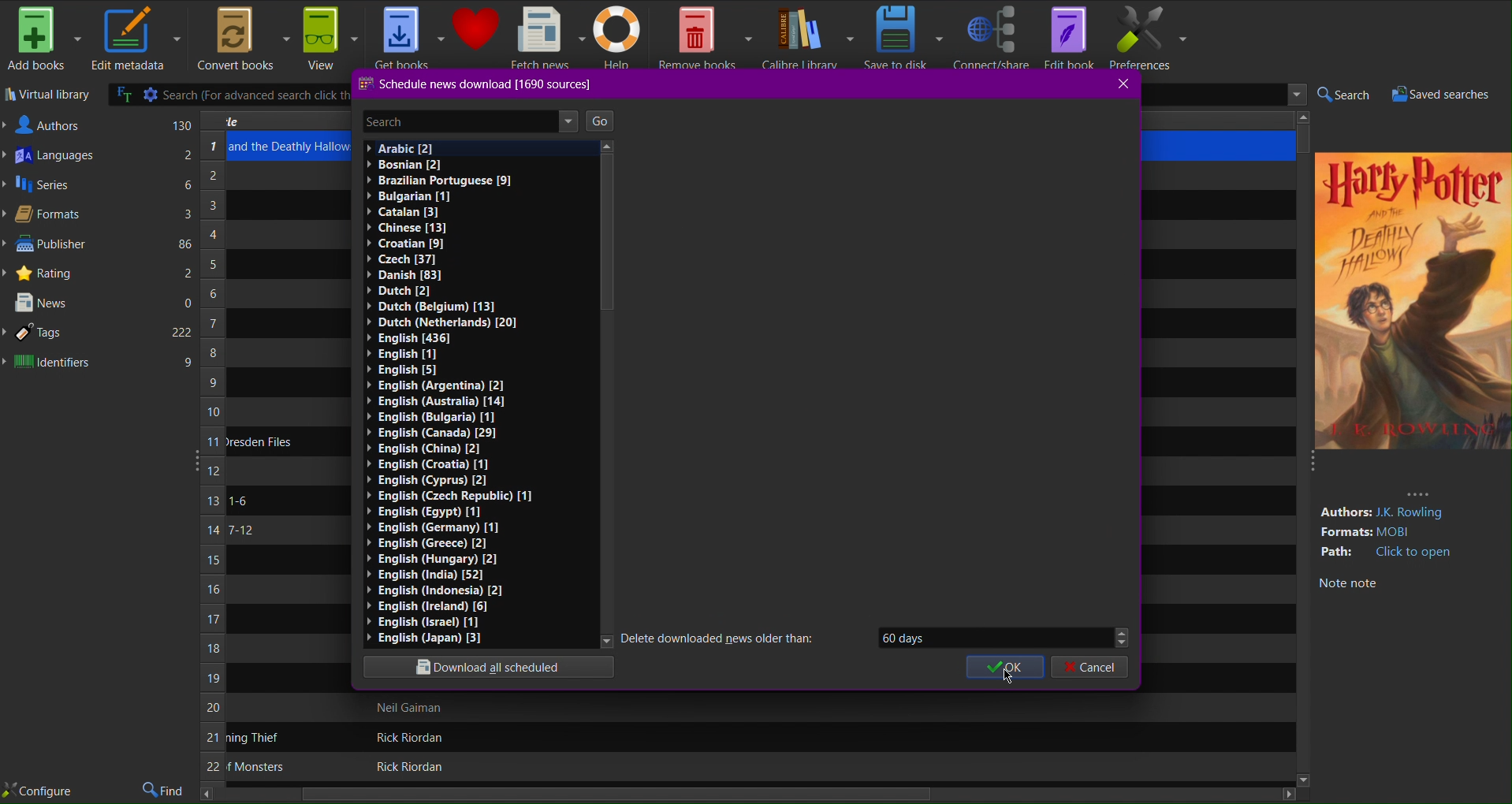 The height and width of the screenshot is (804, 1512). I want to click on English (Ireland) [6], so click(427, 605).